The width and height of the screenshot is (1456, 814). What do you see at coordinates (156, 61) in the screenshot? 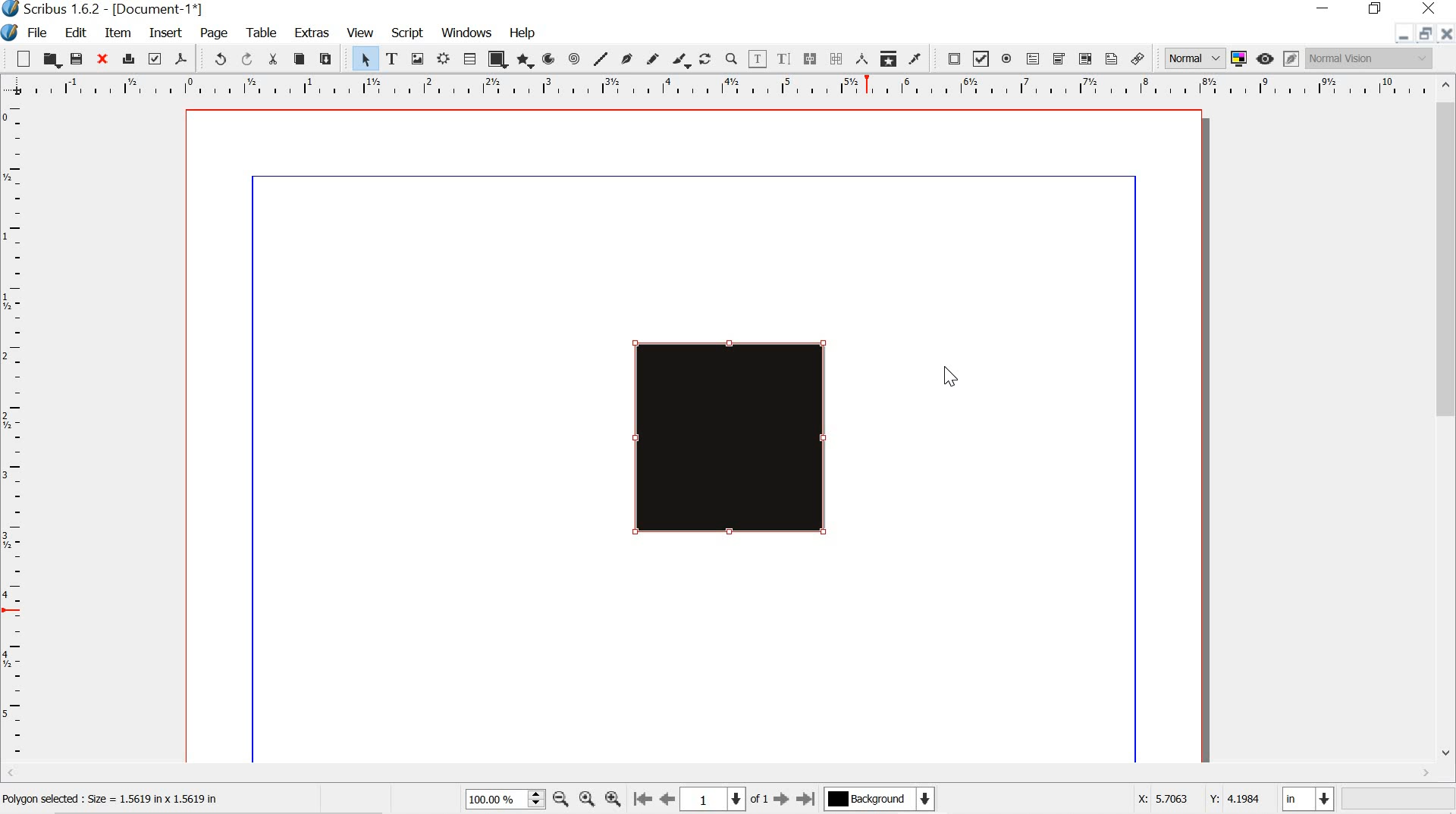
I see `preflight verifier` at bounding box center [156, 61].